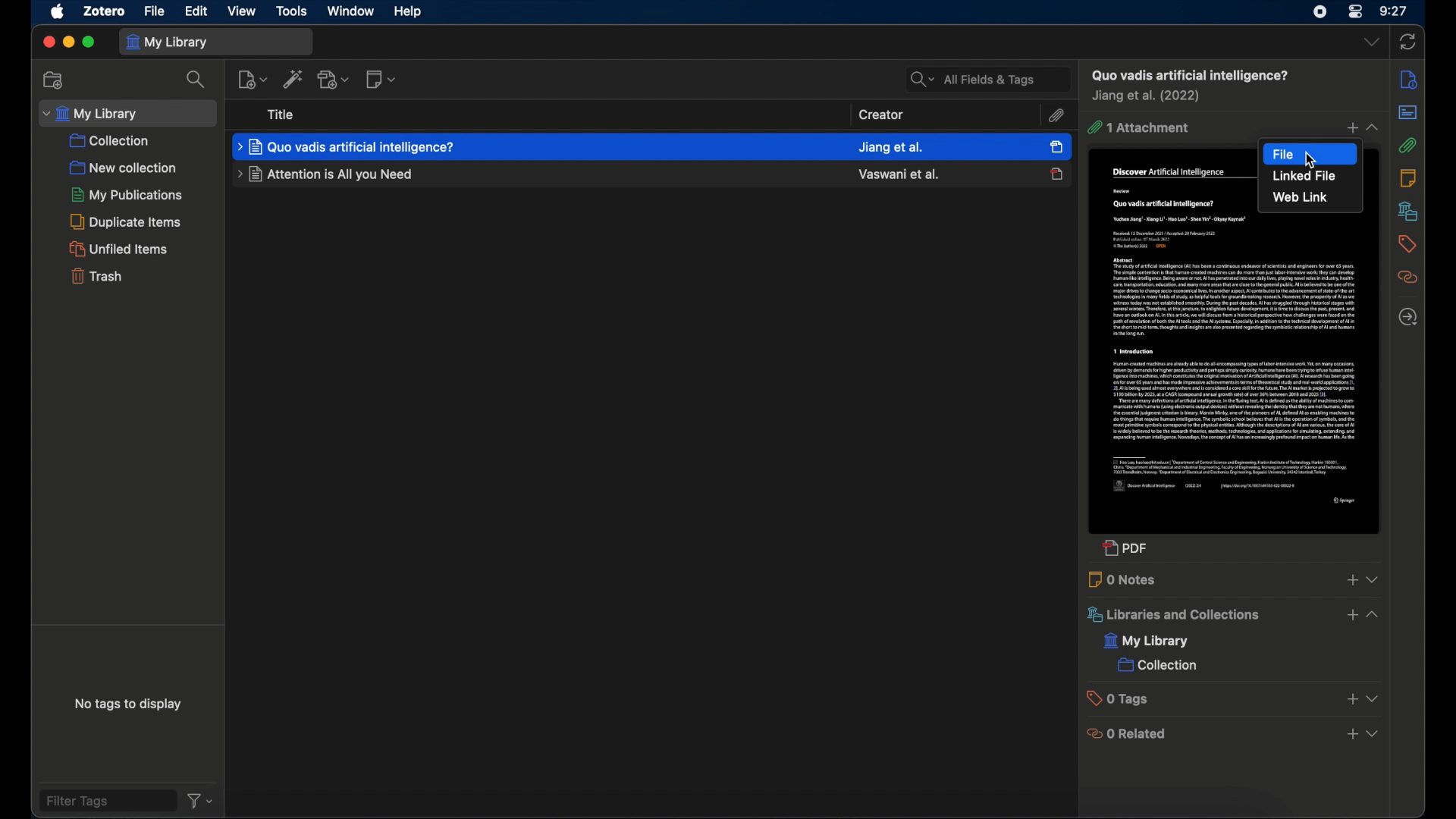  Describe the element at coordinates (1305, 177) in the screenshot. I see `linked file` at that location.